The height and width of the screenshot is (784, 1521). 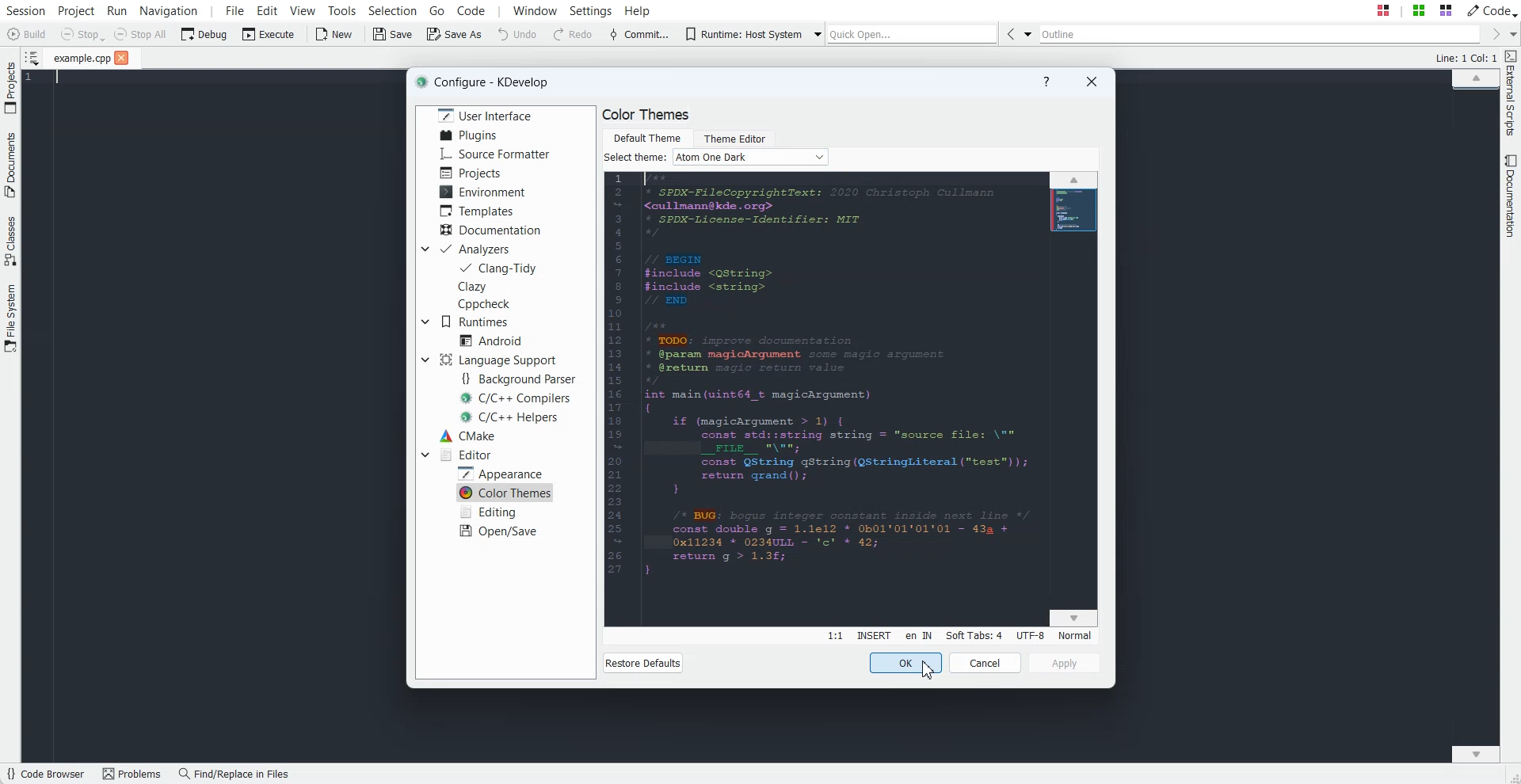 What do you see at coordinates (1475, 76) in the screenshot?
I see `Scroll up` at bounding box center [1475, 76].